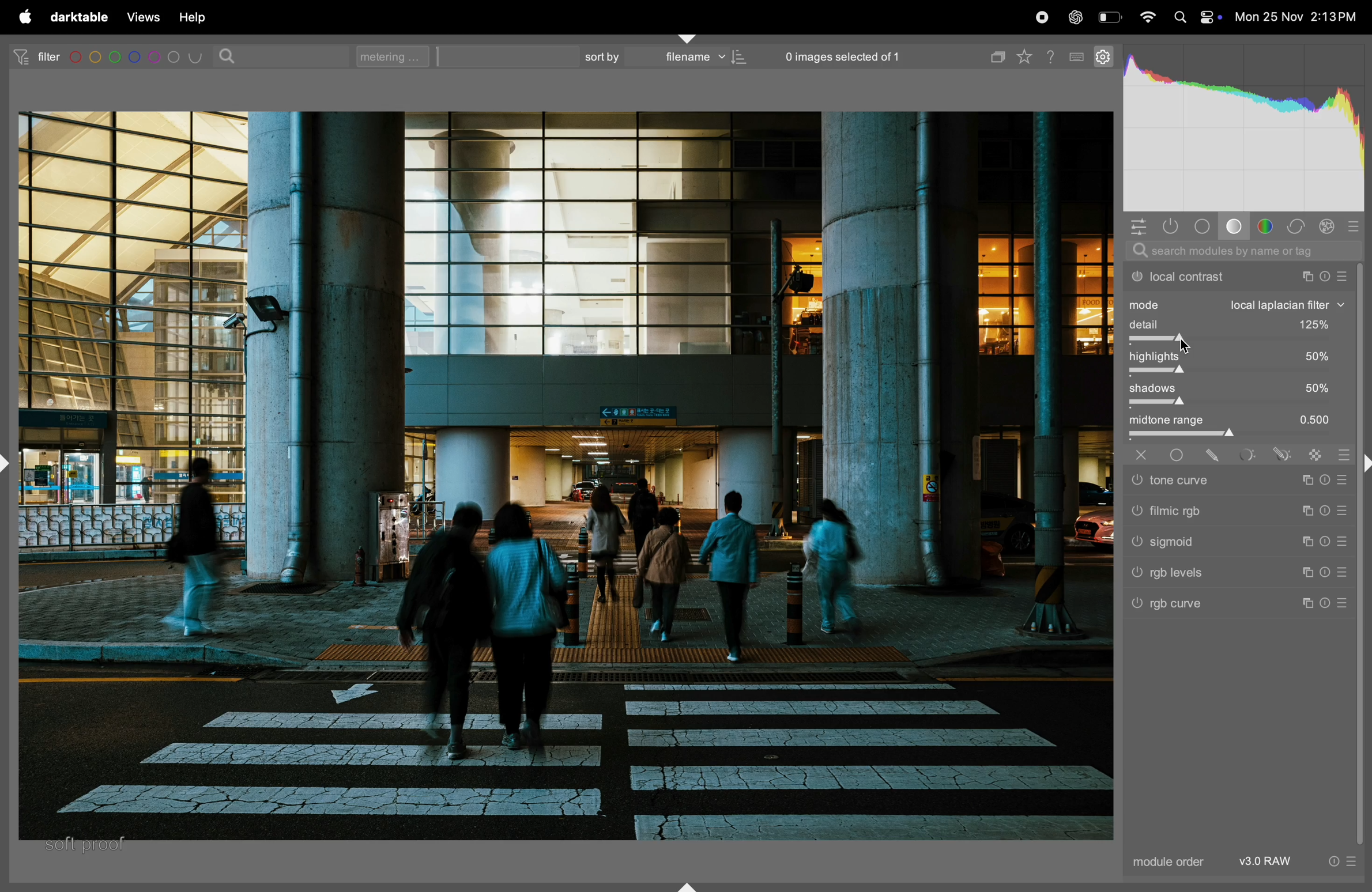  I want to click on reset, so click(1325, 478).